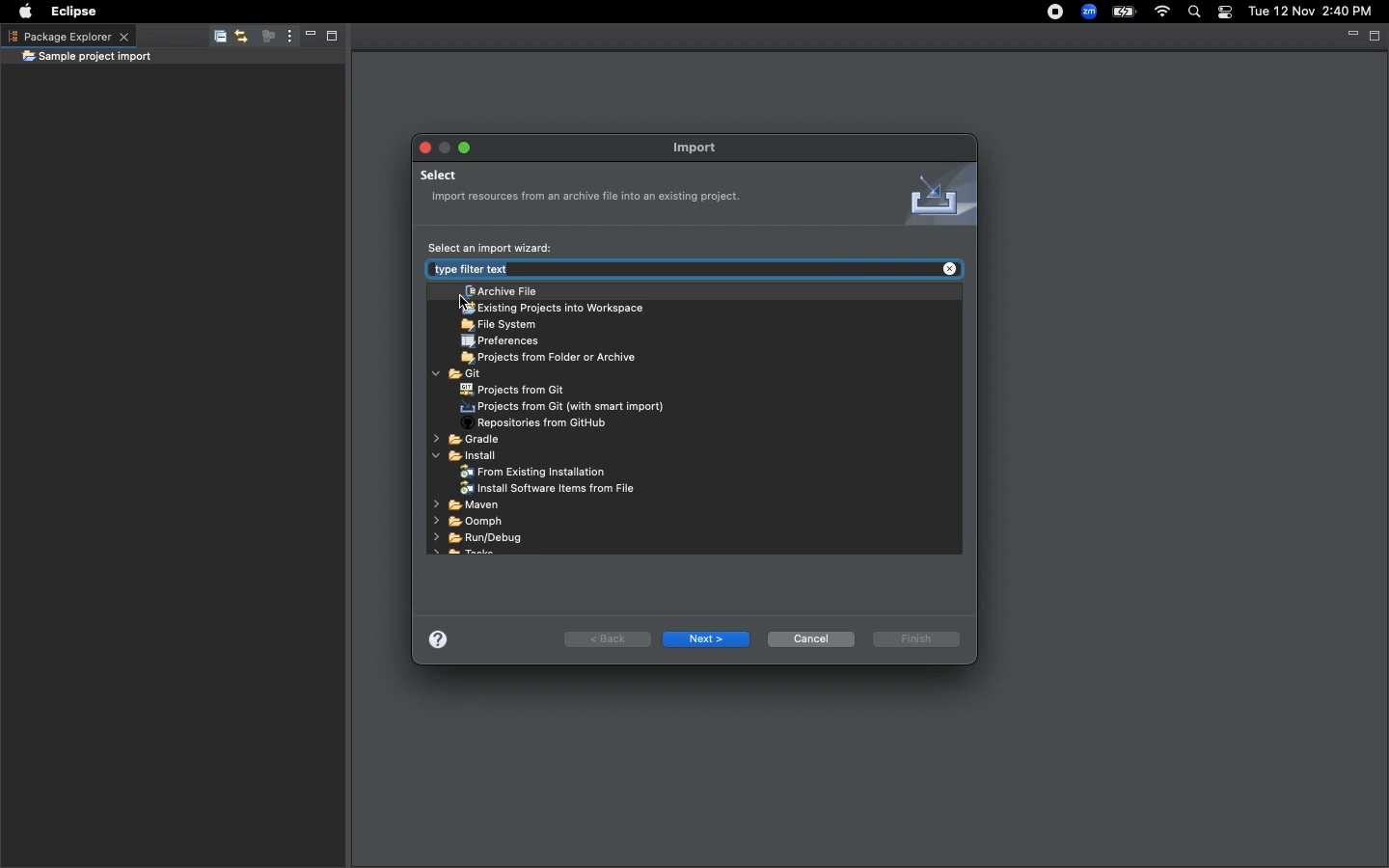  I want to click on Help, so click(442, 637).